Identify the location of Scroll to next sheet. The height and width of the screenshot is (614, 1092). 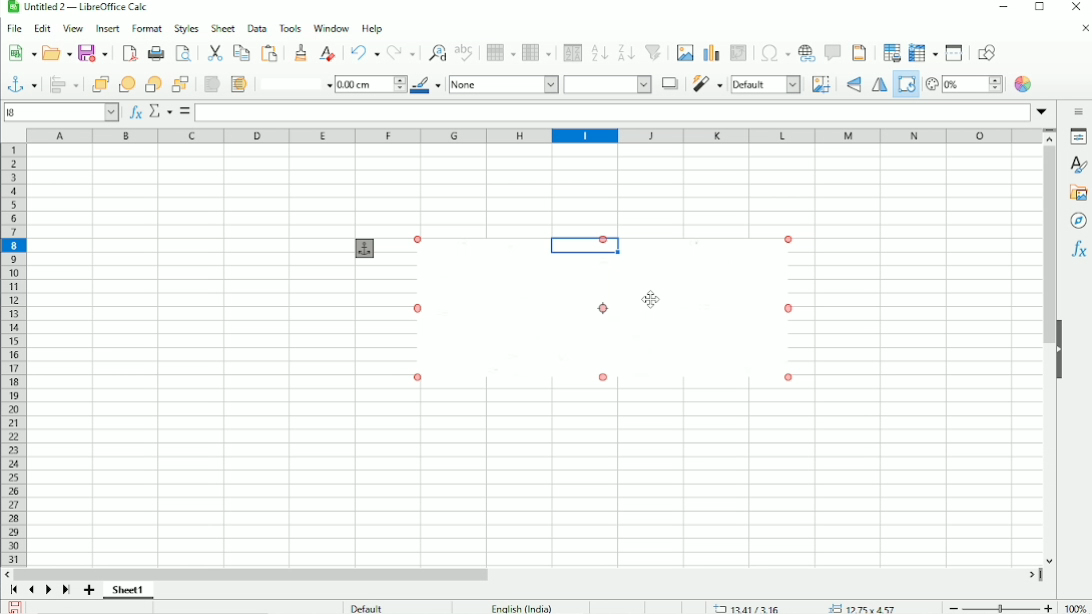
(47, 591).